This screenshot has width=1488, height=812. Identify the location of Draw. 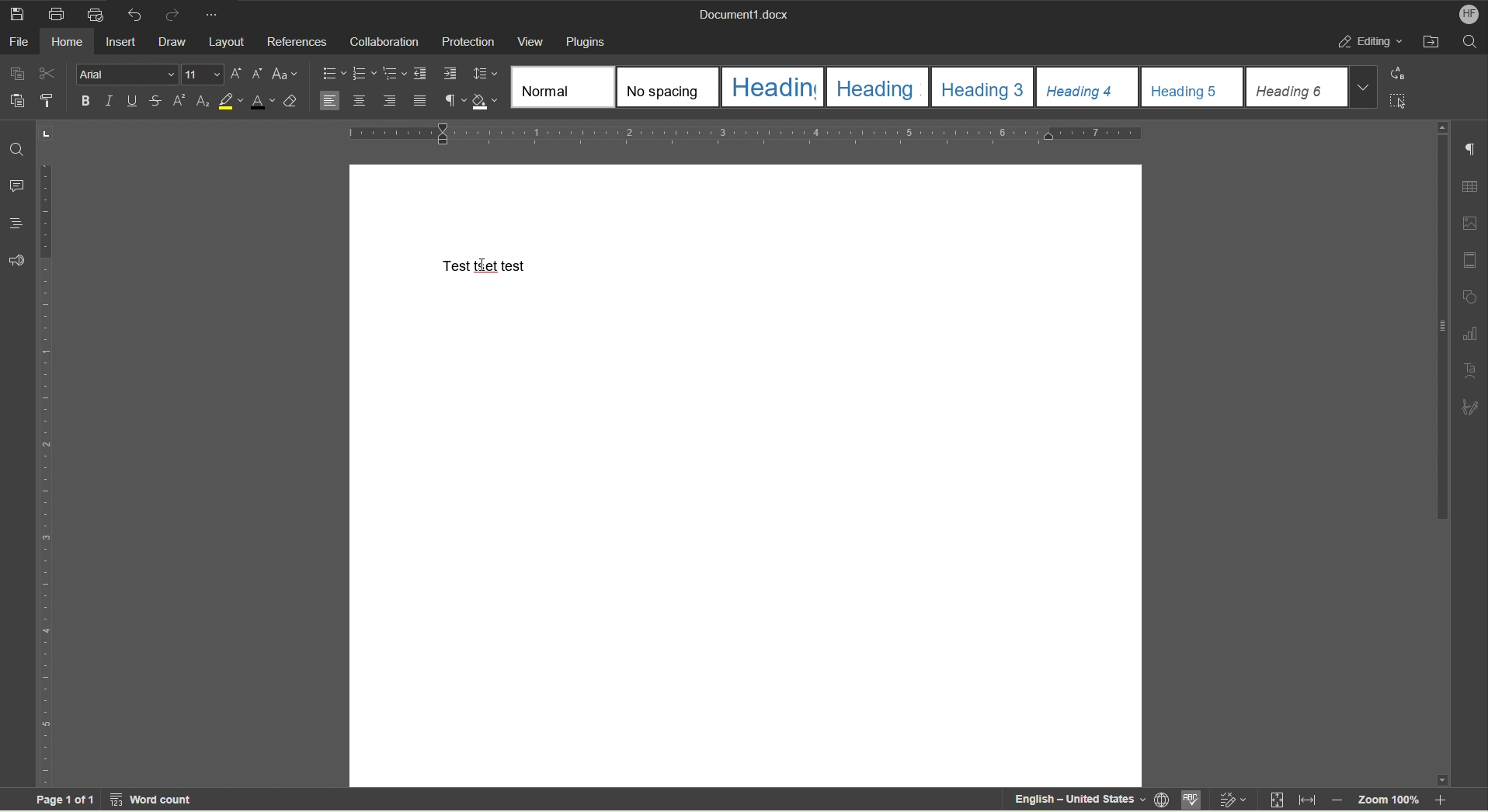
(174, 42).